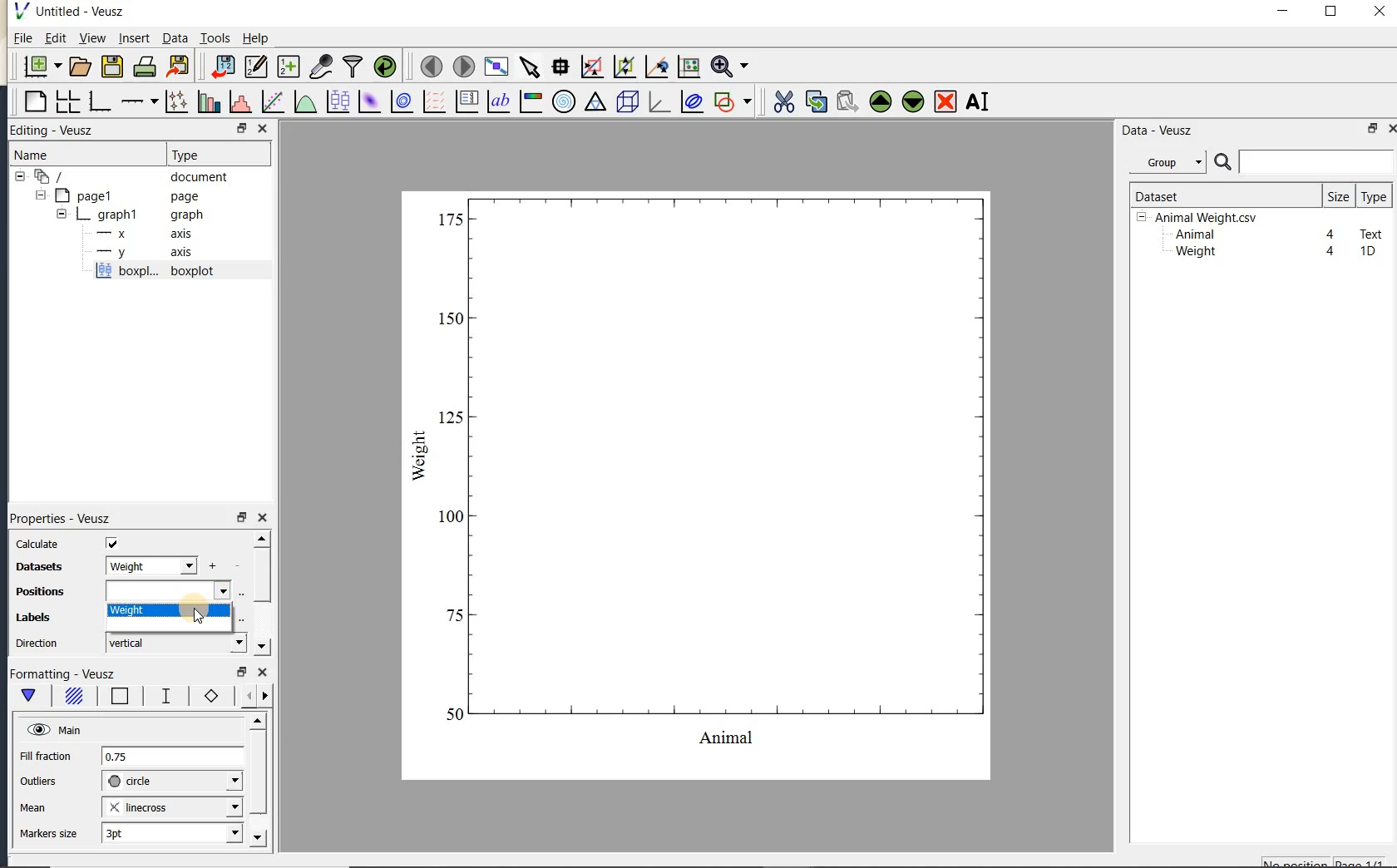 Image resolution: width=1397 pixels, height=868 pixels. What do you see at coordinates (729, 67) in the screenshot?
I see `zoom function menus` at bounding box center [729, 67].